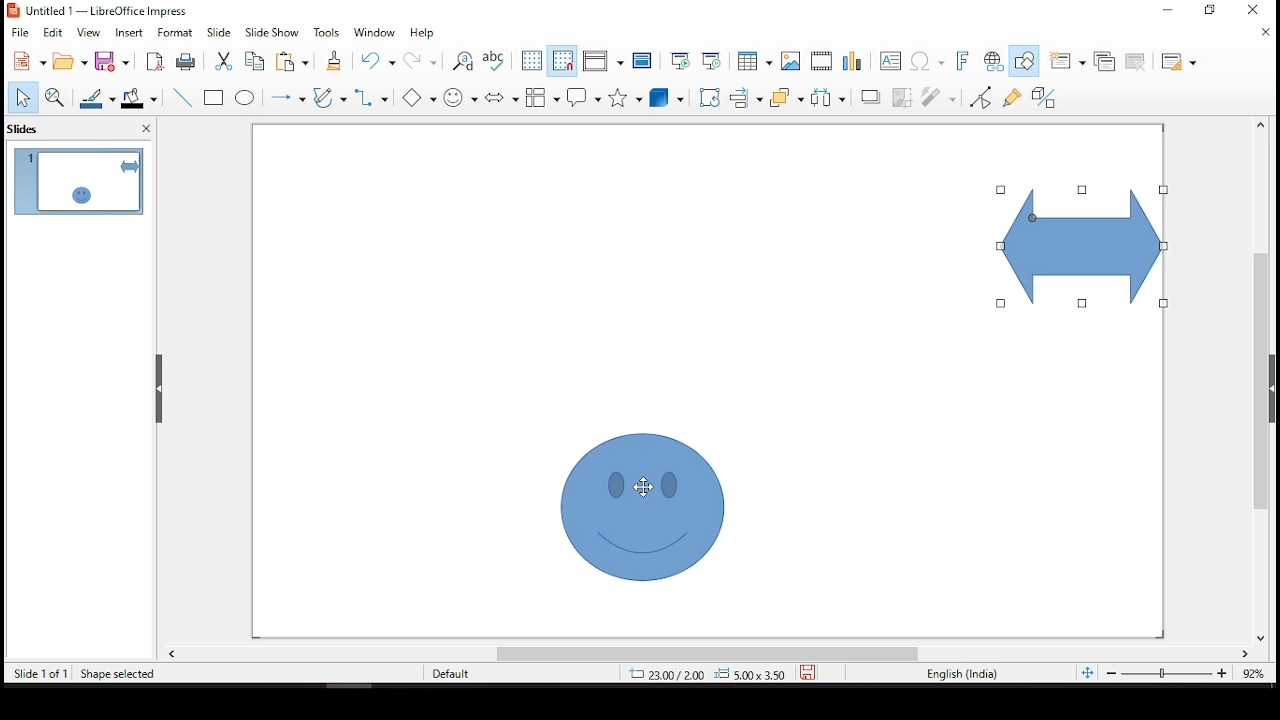  I want to click on shape selected, so click(113, 673).